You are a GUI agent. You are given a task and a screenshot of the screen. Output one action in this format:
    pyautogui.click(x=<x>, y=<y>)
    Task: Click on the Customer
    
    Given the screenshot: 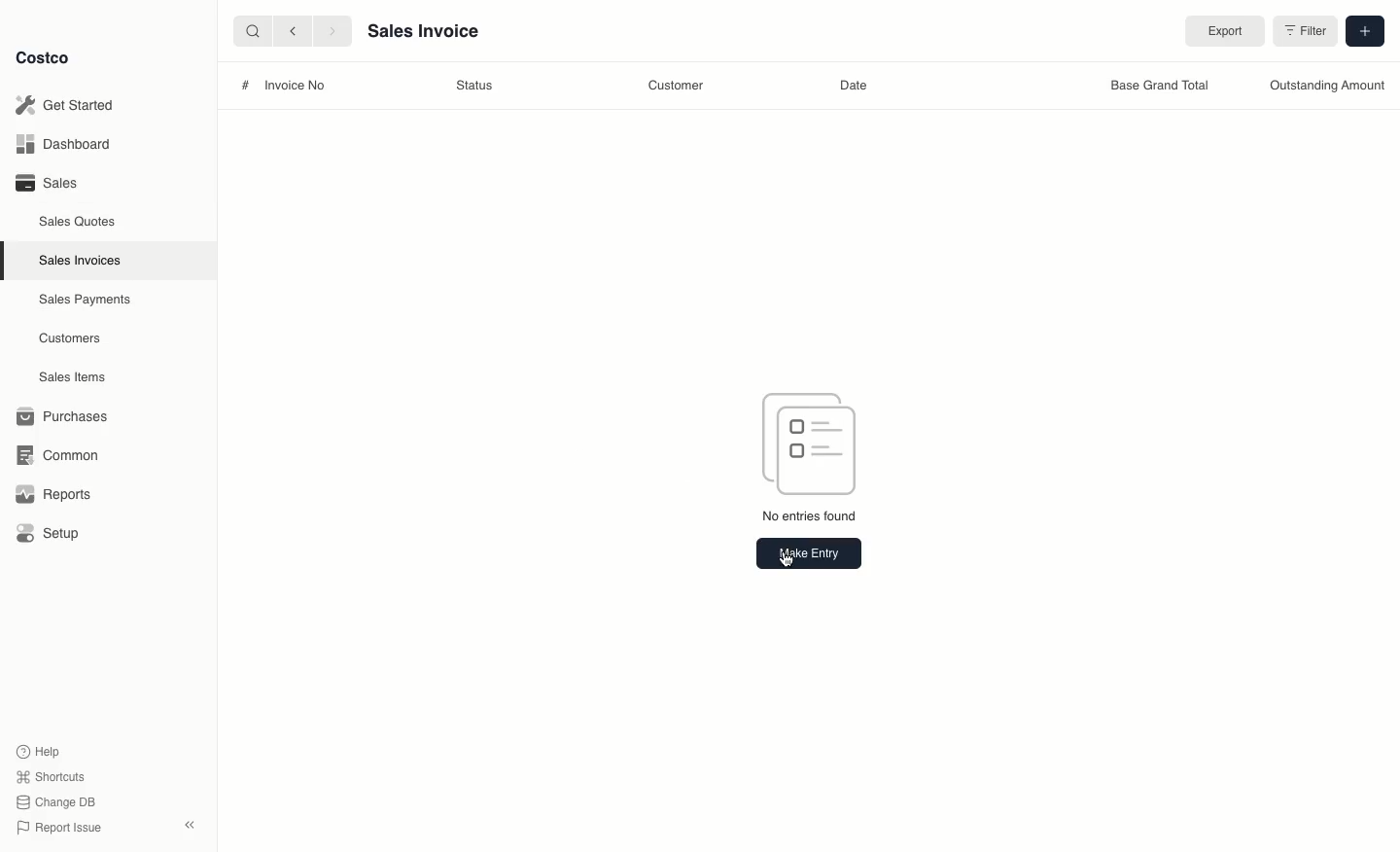 What is the action you would take?
    pyautogui.click(x=682, y=85)
    